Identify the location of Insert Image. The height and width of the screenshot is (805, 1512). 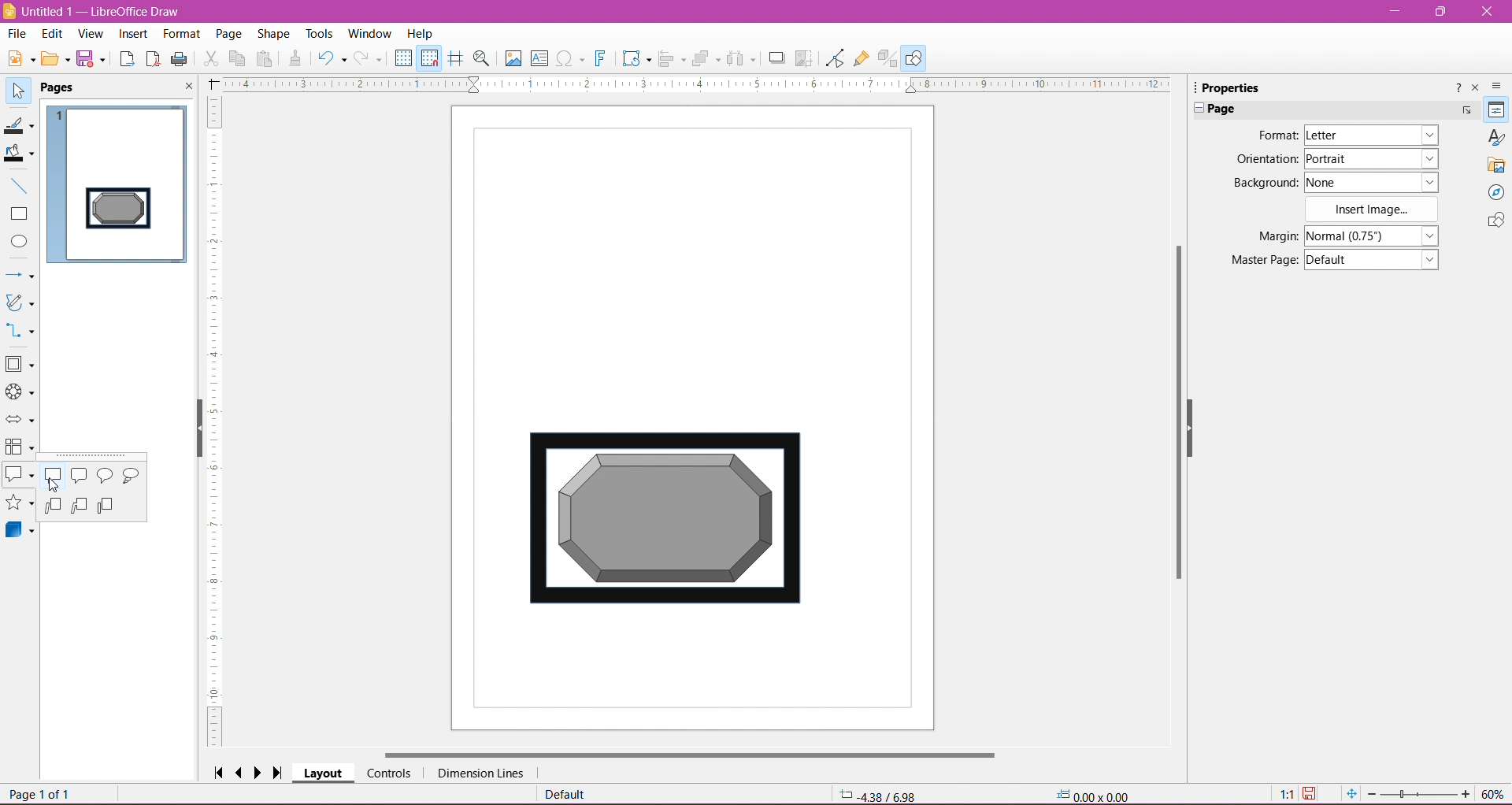
(1373, 210).